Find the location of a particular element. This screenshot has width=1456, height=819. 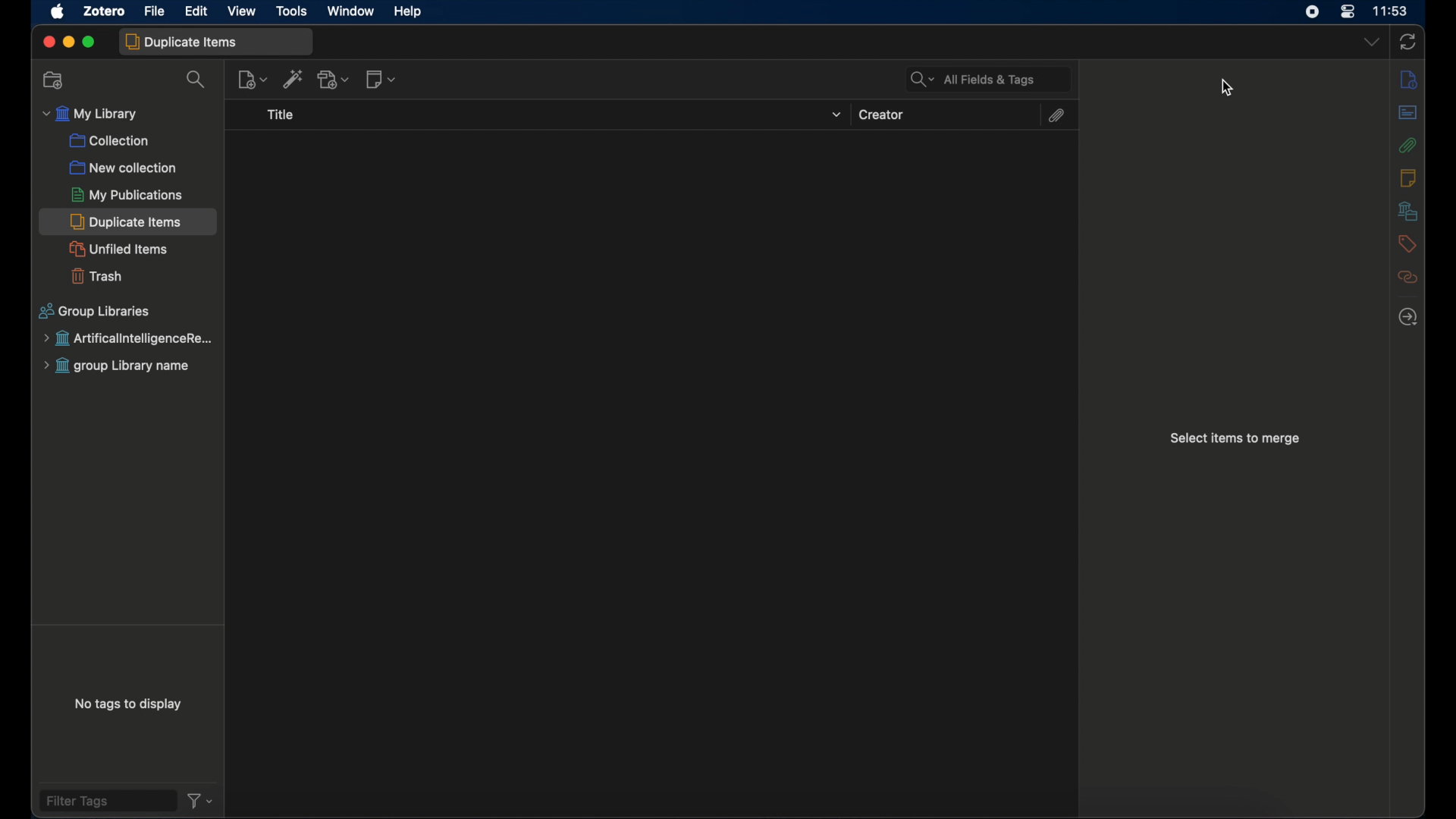

zotero is located at coordinates (104, 10).